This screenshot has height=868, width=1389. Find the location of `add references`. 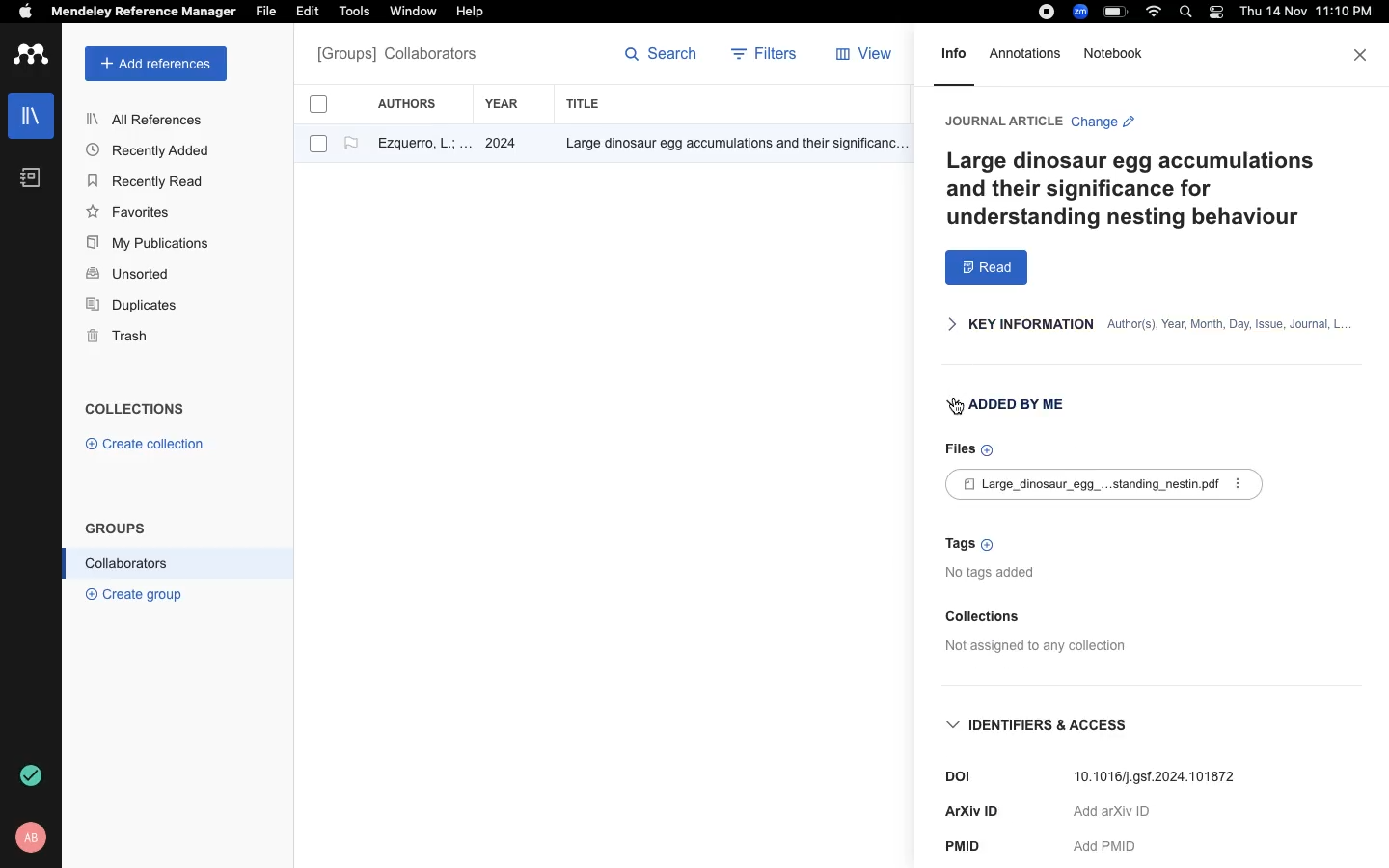

add references is located at coordinates (156, 64).